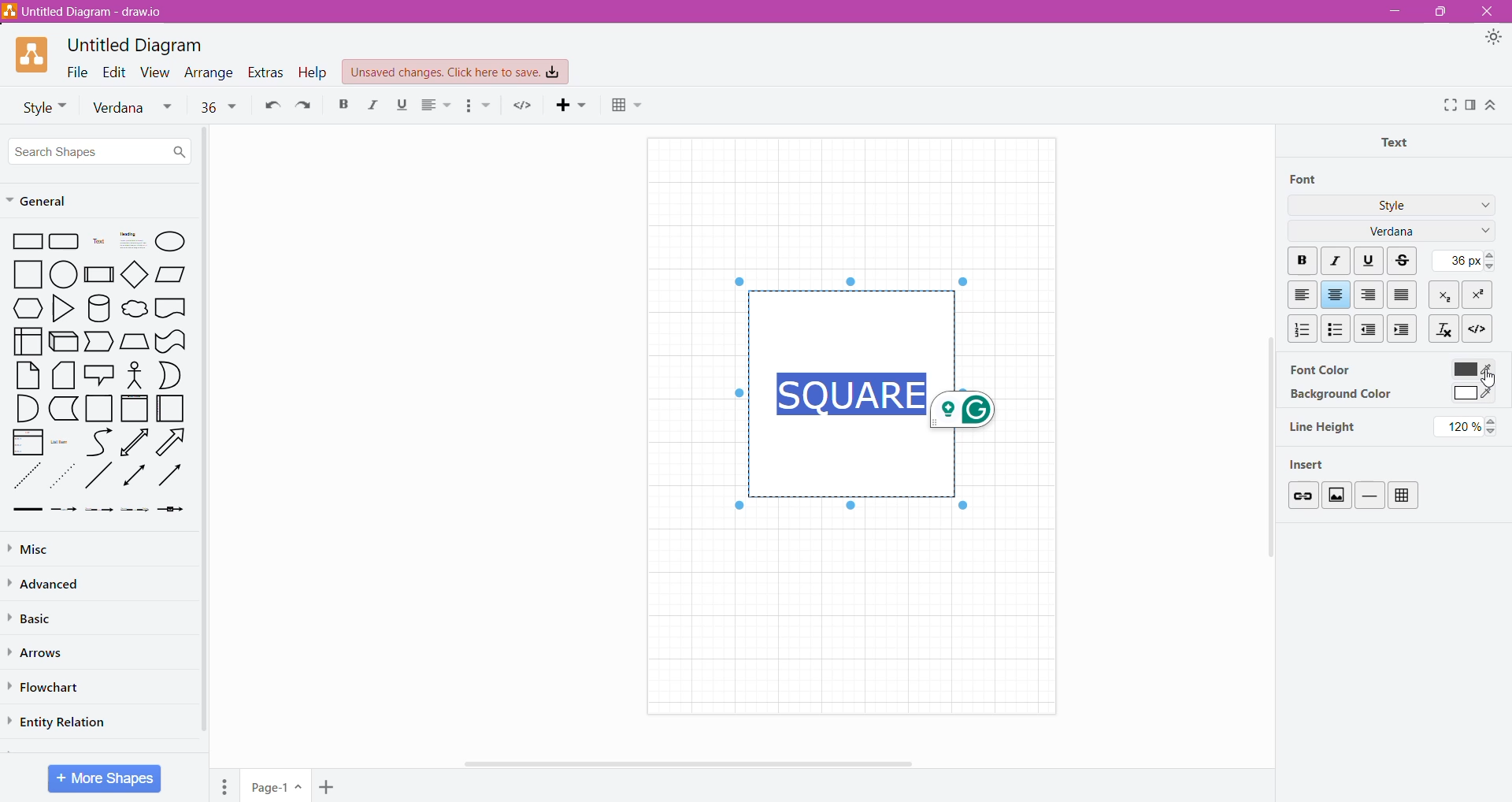 This screenshot has height=802, width=1512. What do you see at coordinates (99, 273) in the screenshot?
I see `Subprocess` at bounding box center [99, 273].